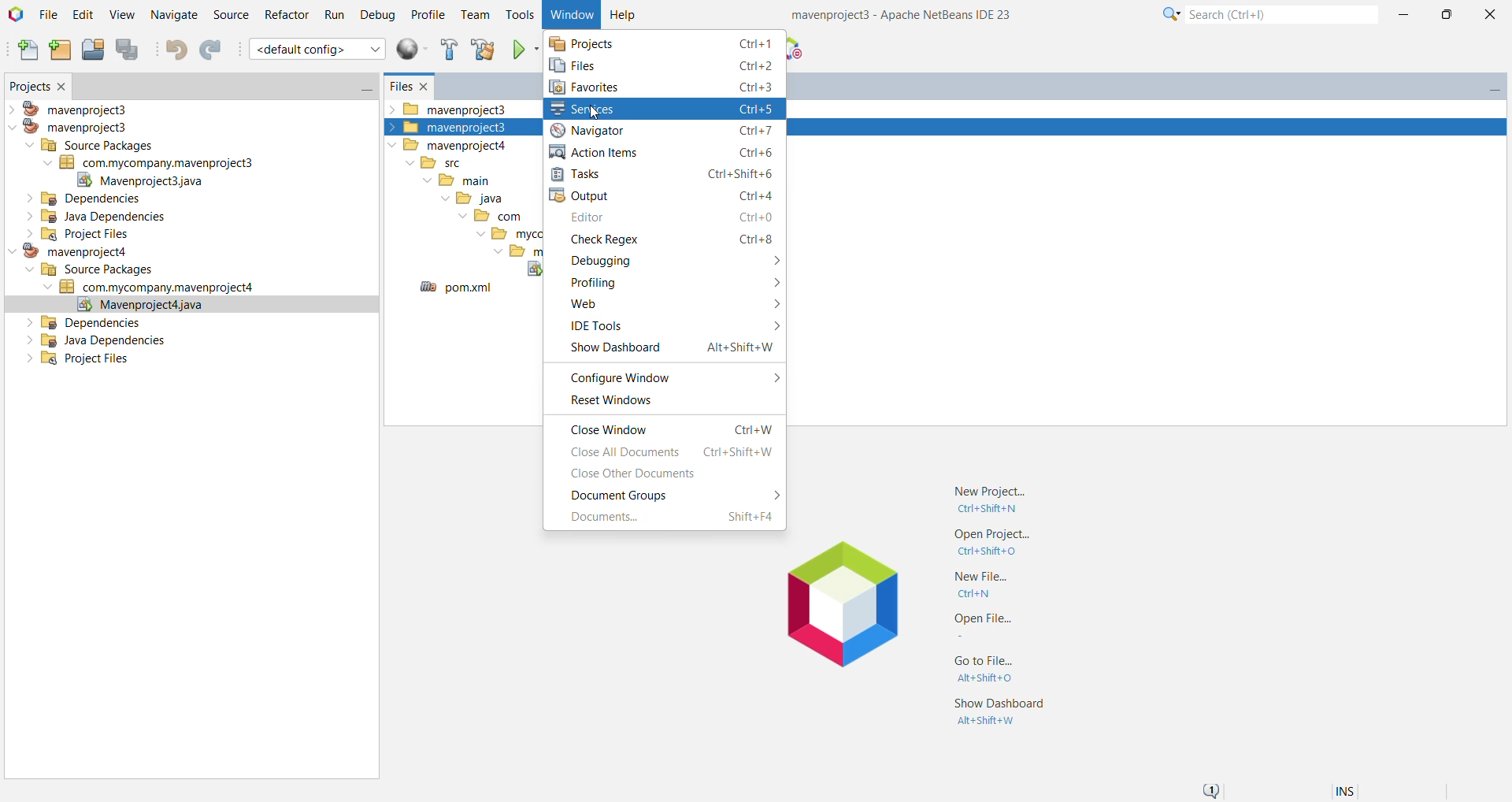  I want to click on Build Project, so click(449, 50).